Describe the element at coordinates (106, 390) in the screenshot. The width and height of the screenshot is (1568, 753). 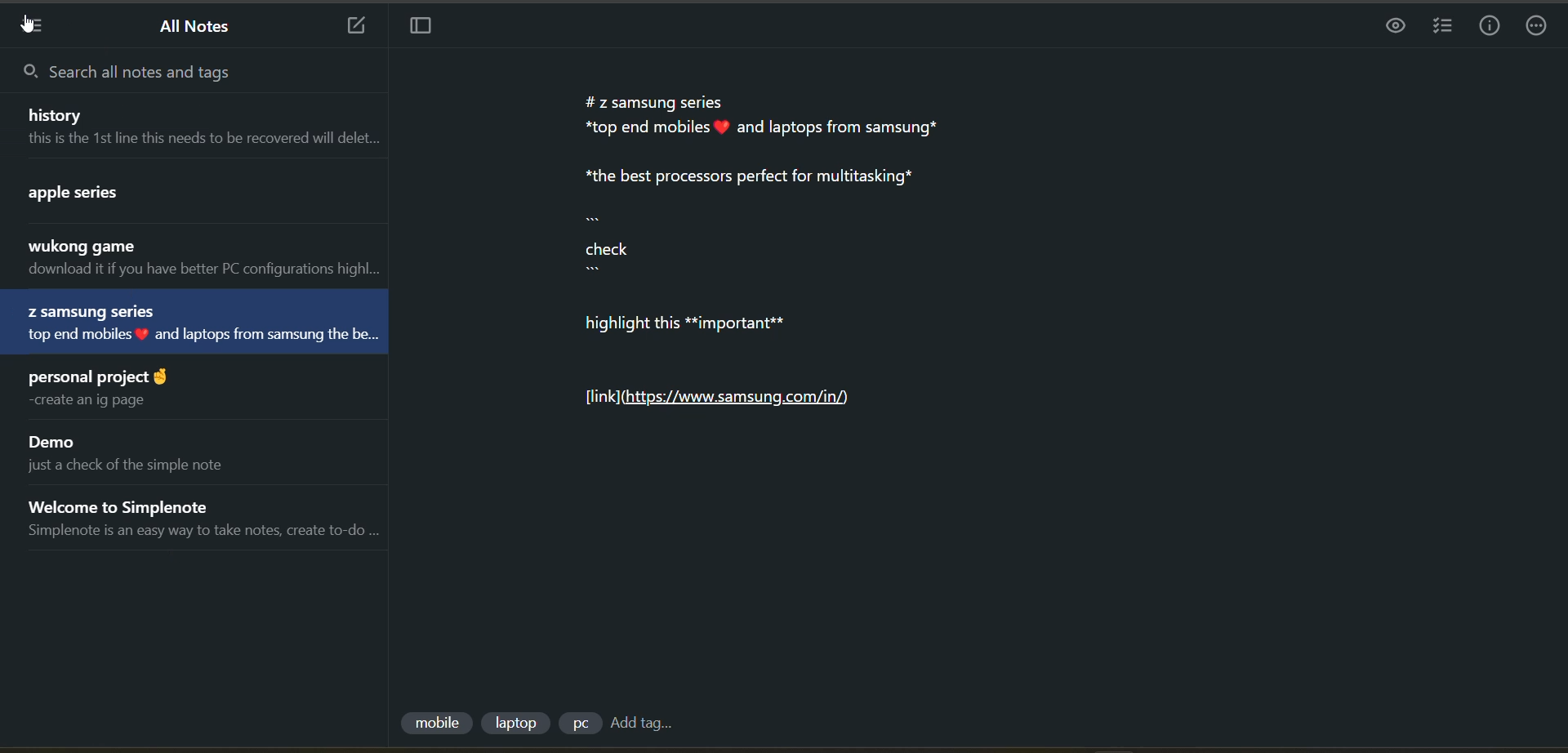
I see `note title and preview` at that location.